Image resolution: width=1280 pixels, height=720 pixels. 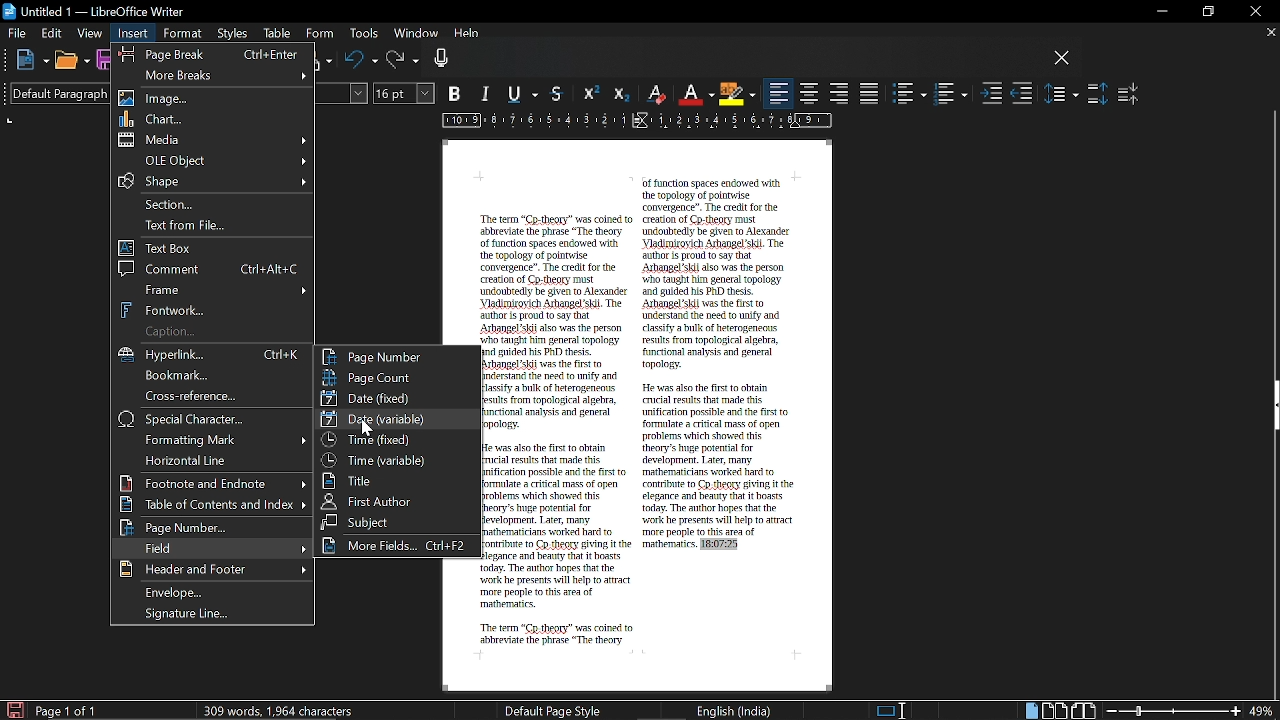 What do you see at coordinates (1206, 12) in the screenshot?
I see `Restore down` at bounding box center [1206, 12].